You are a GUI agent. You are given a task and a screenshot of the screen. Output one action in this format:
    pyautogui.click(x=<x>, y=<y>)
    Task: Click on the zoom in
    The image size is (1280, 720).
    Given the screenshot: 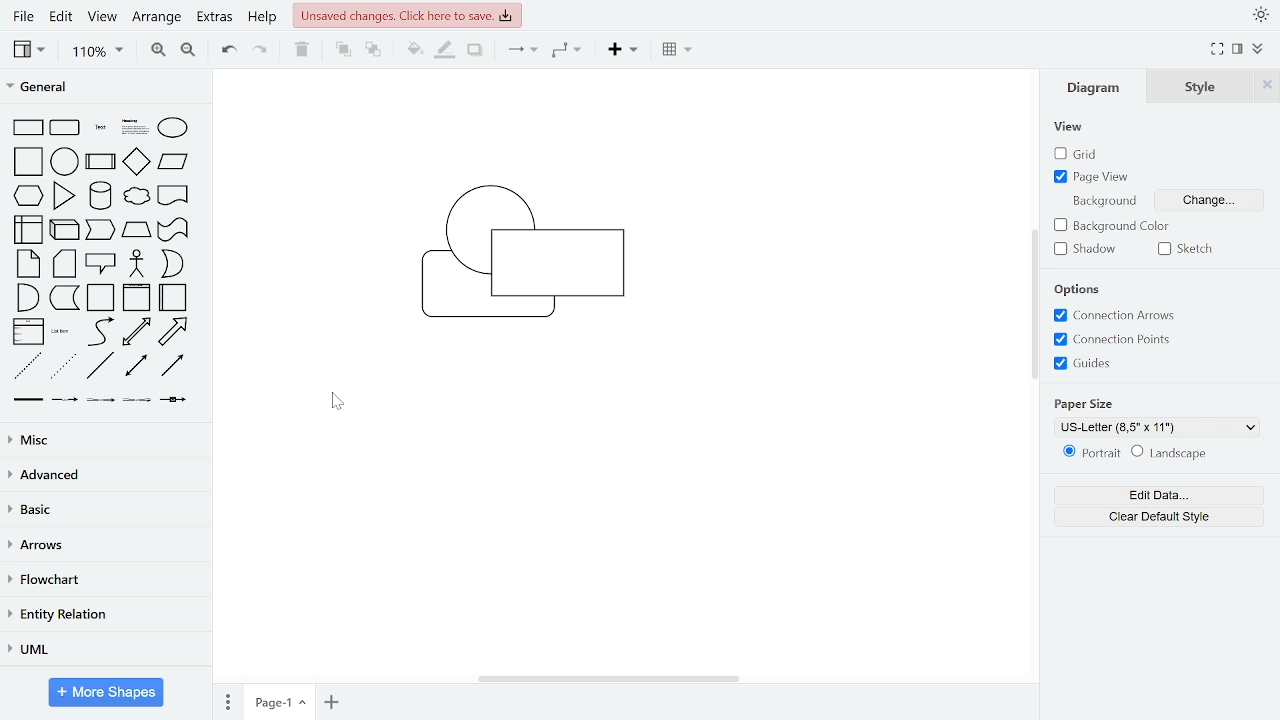 What is the action you would take?
    pyautogui.click(x=159, y=51)
    